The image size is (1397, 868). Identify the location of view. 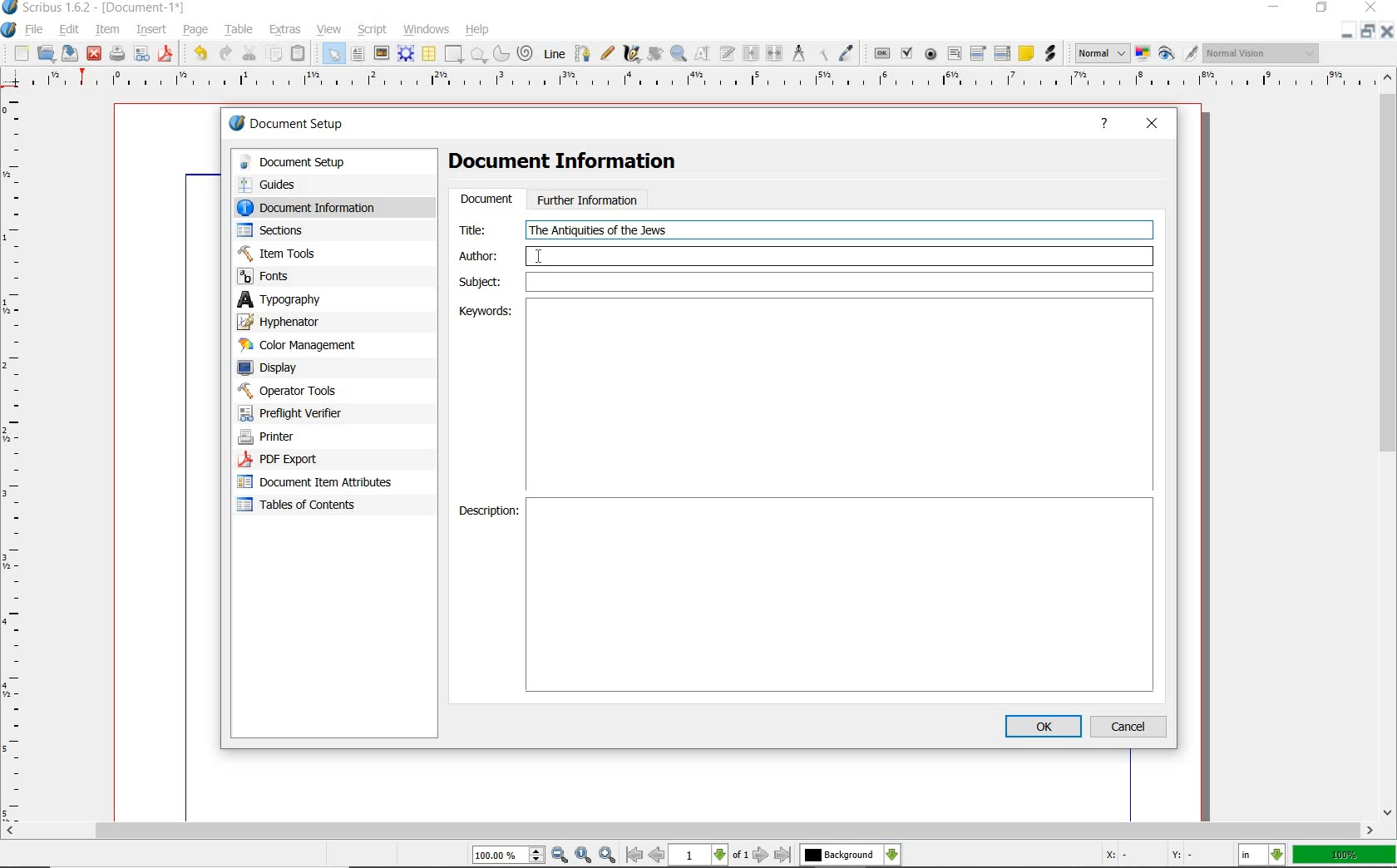
(328, 29).